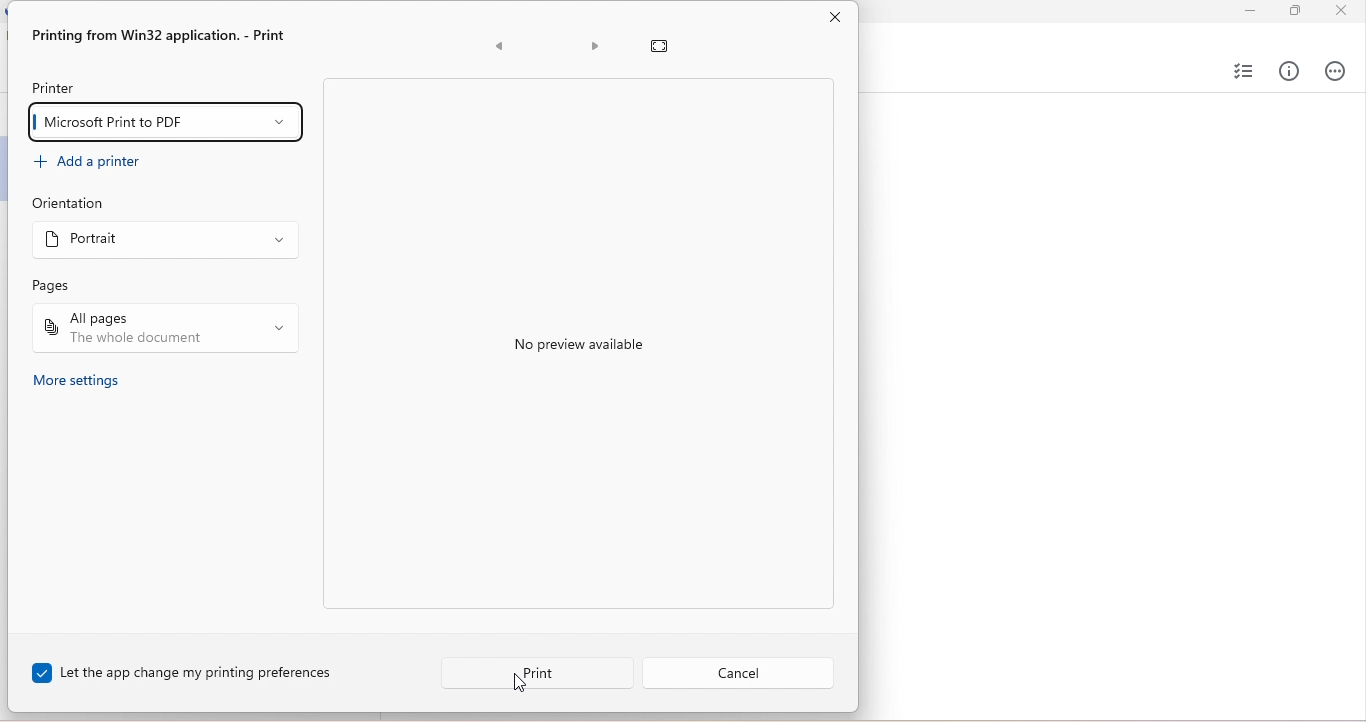  What do you see at coordinates (743, 669) in the screenshot?
I see `cancel` at bounding box center [743, 669].